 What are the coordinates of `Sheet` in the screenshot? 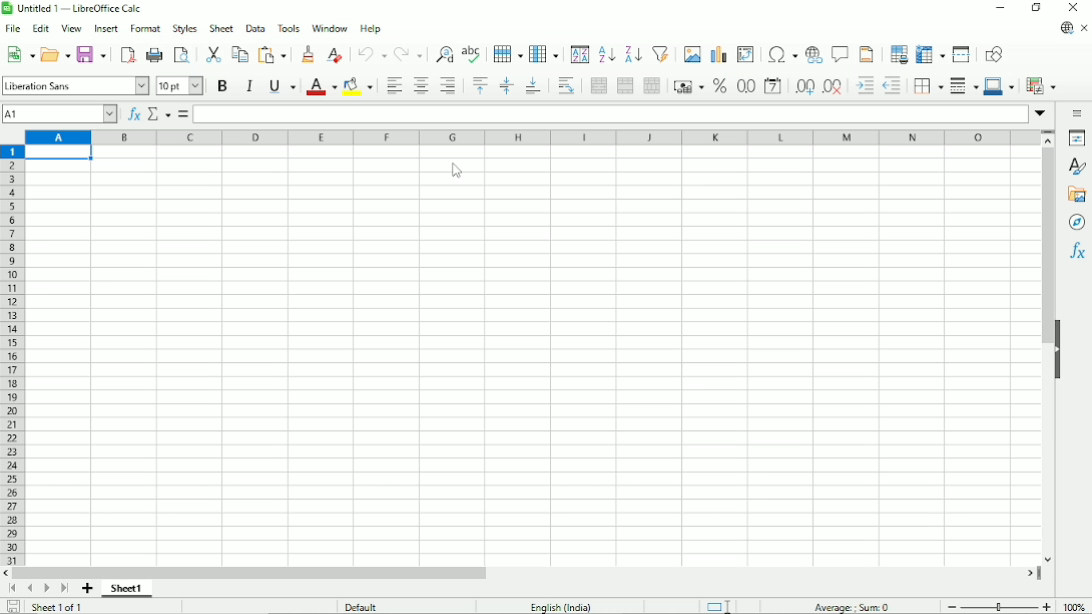 It's located at (223, 27).